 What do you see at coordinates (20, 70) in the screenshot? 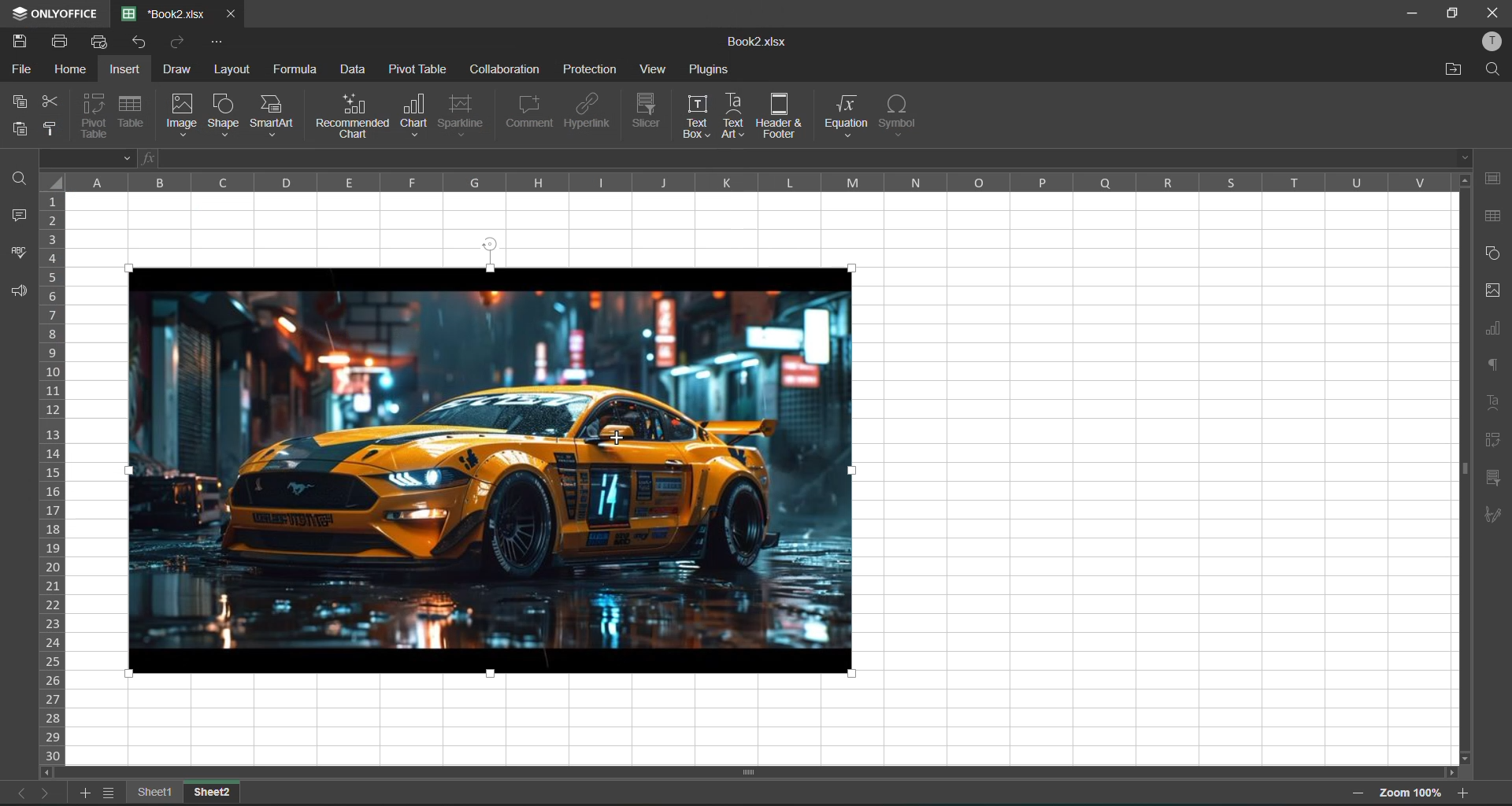
I see `file` at bounding box center [20, 70].